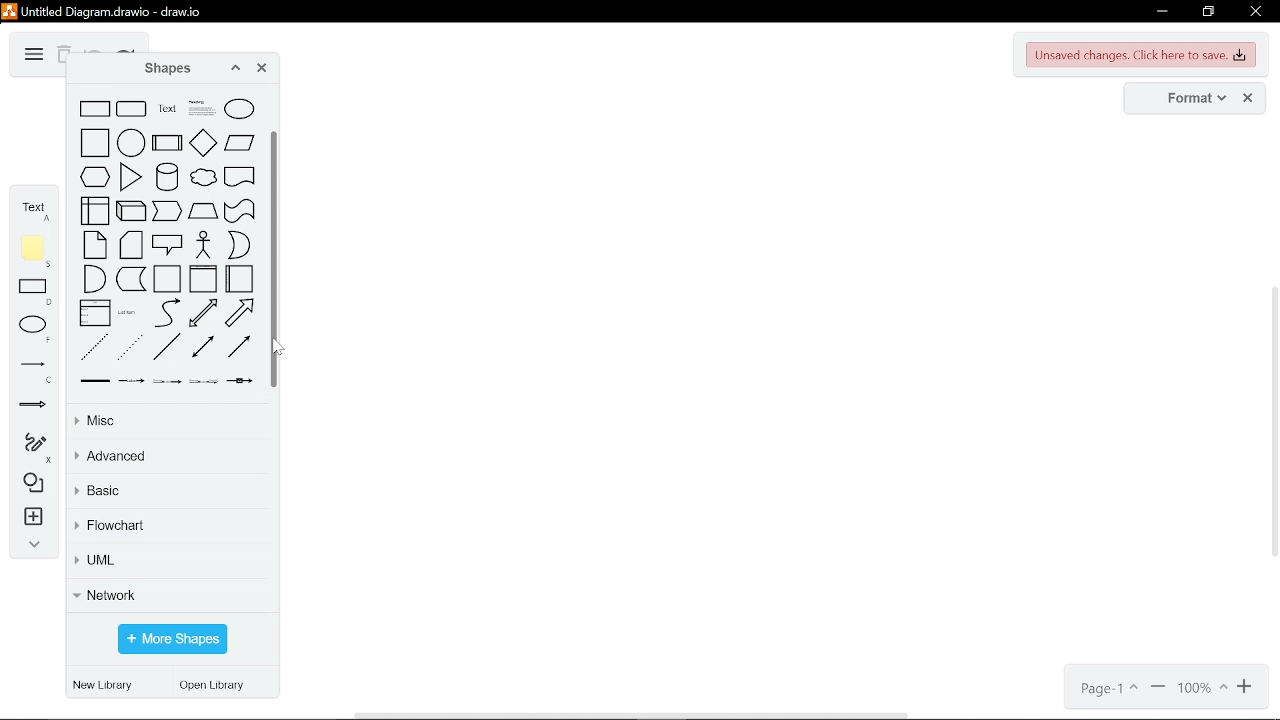 The height and width of the screenshot is (720, 1280). Describe the element at coordinates (167, 381) in the screenshot. I see `connector with 2 labels` at that location.